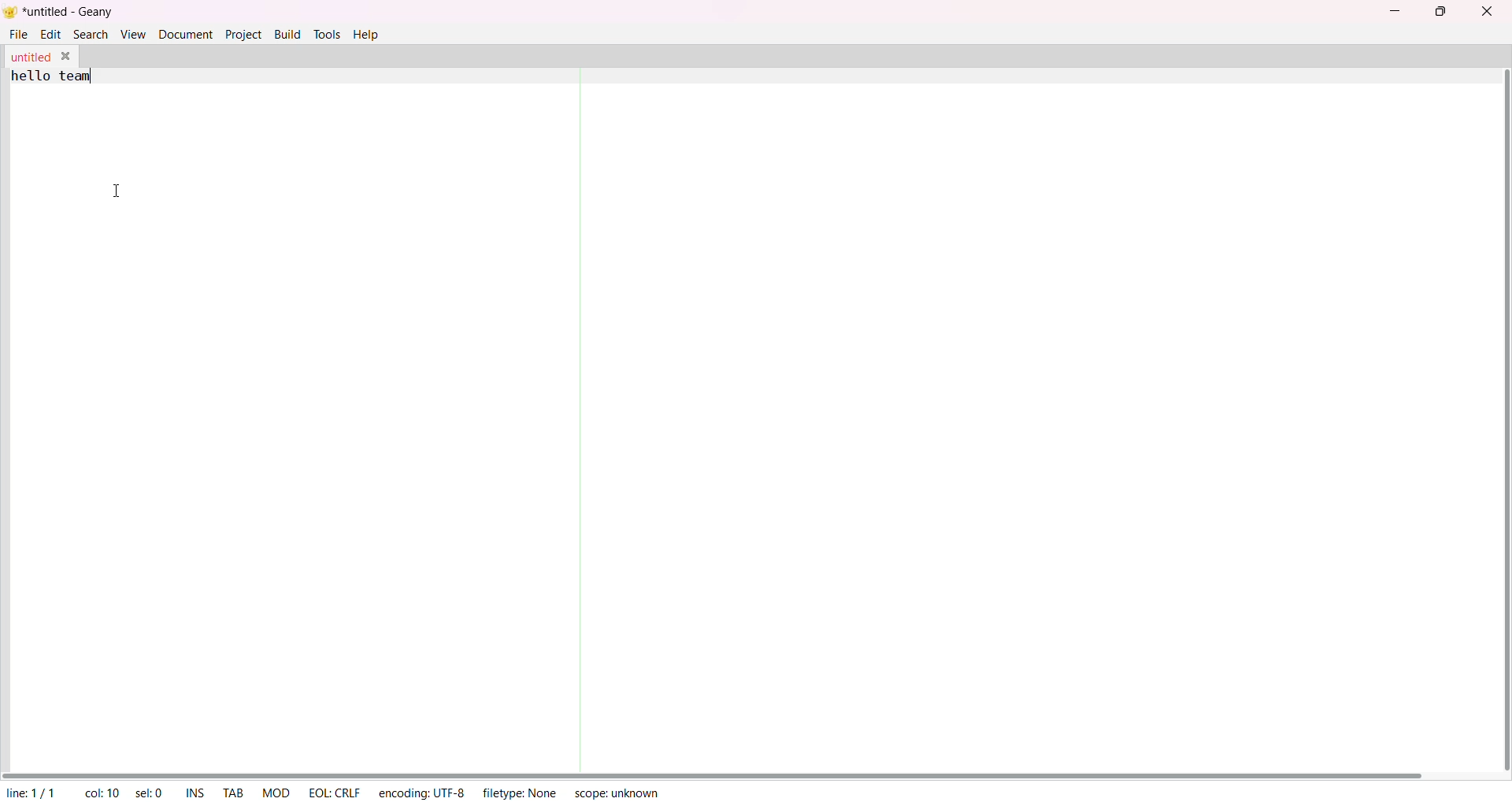 The image size is (1512, 802). What do you see at coordinates (1446, 13) in the screenshot?
I see `maximize` at bounding box center [1446, 13].